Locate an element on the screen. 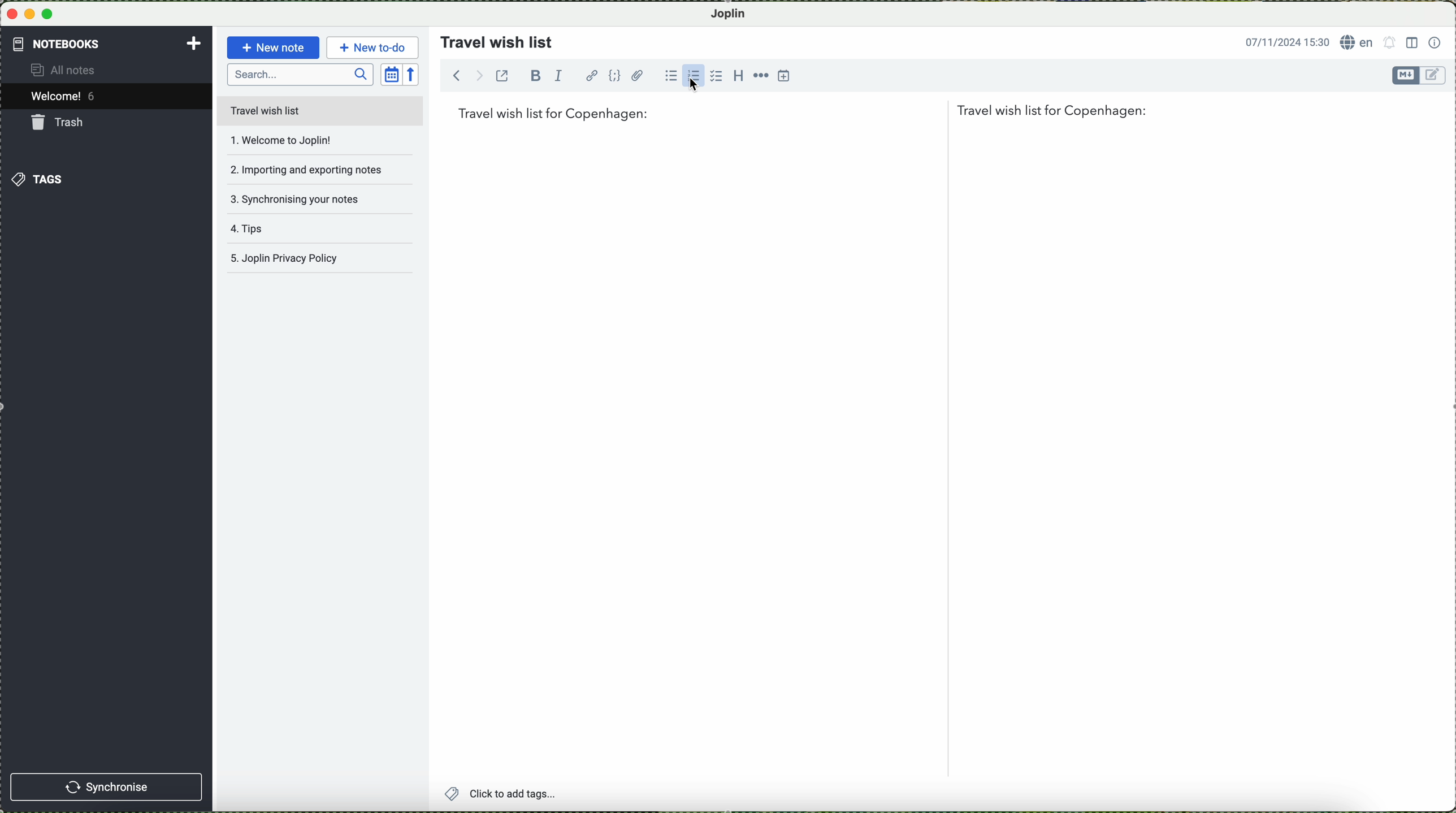  italic is located at coordinates (562, 77).